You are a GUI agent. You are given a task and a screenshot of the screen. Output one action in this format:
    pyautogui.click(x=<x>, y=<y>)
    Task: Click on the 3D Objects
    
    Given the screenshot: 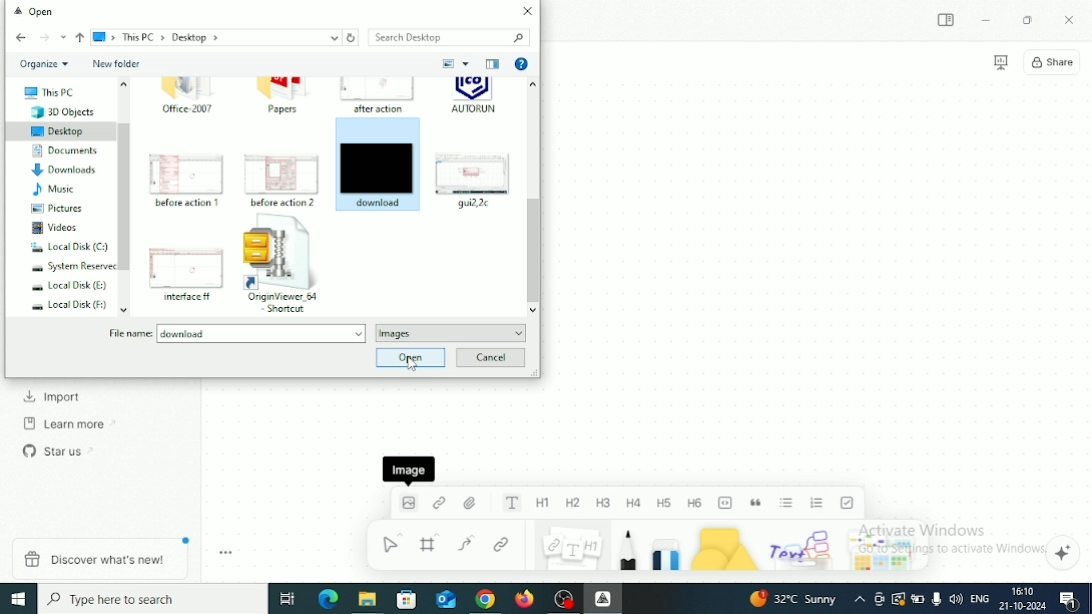 What is the action you would take?
    pyautogui.click(x=53, y=113)
    